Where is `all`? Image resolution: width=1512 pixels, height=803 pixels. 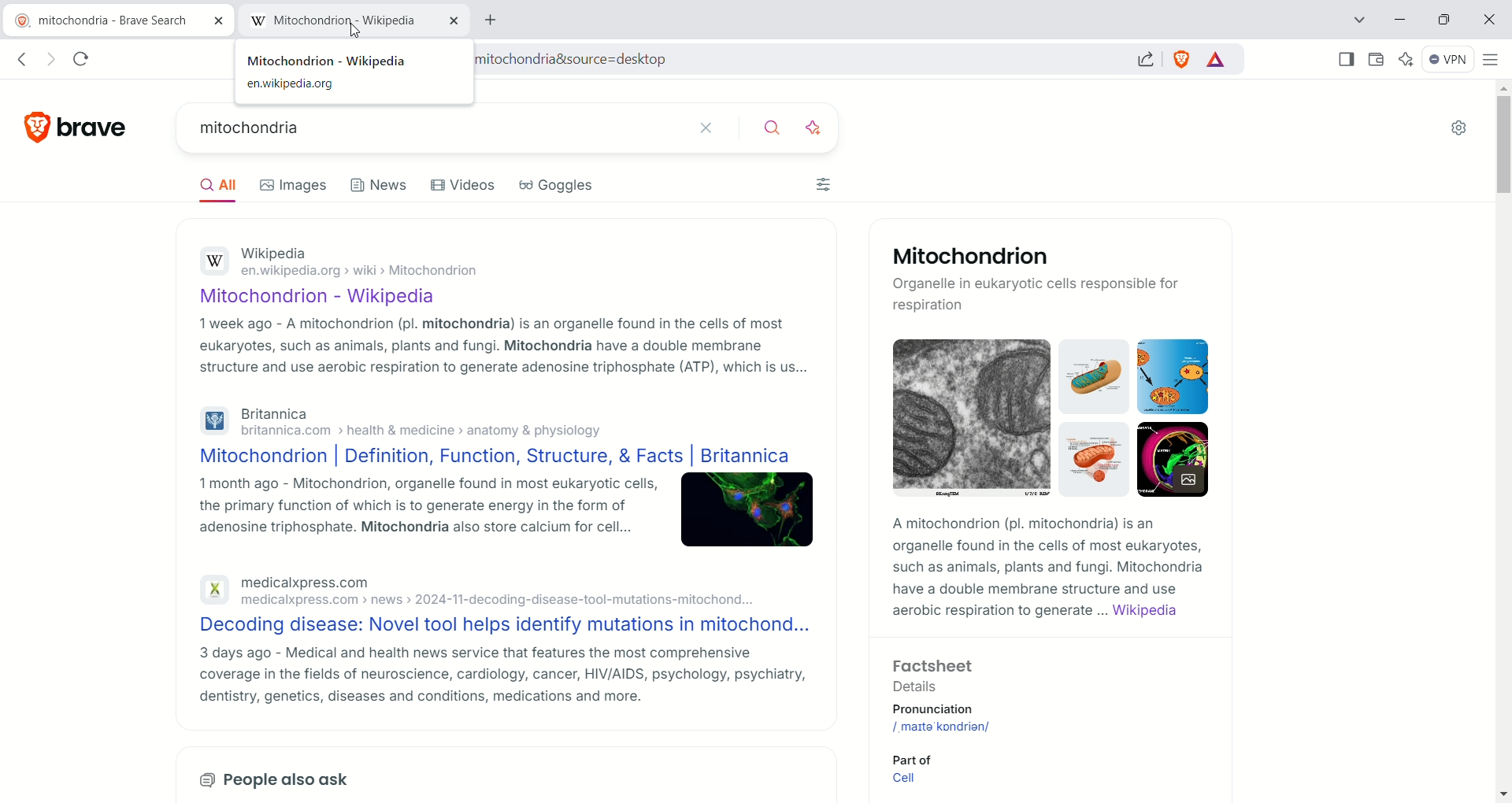
all is located at coordinates (218, 191).